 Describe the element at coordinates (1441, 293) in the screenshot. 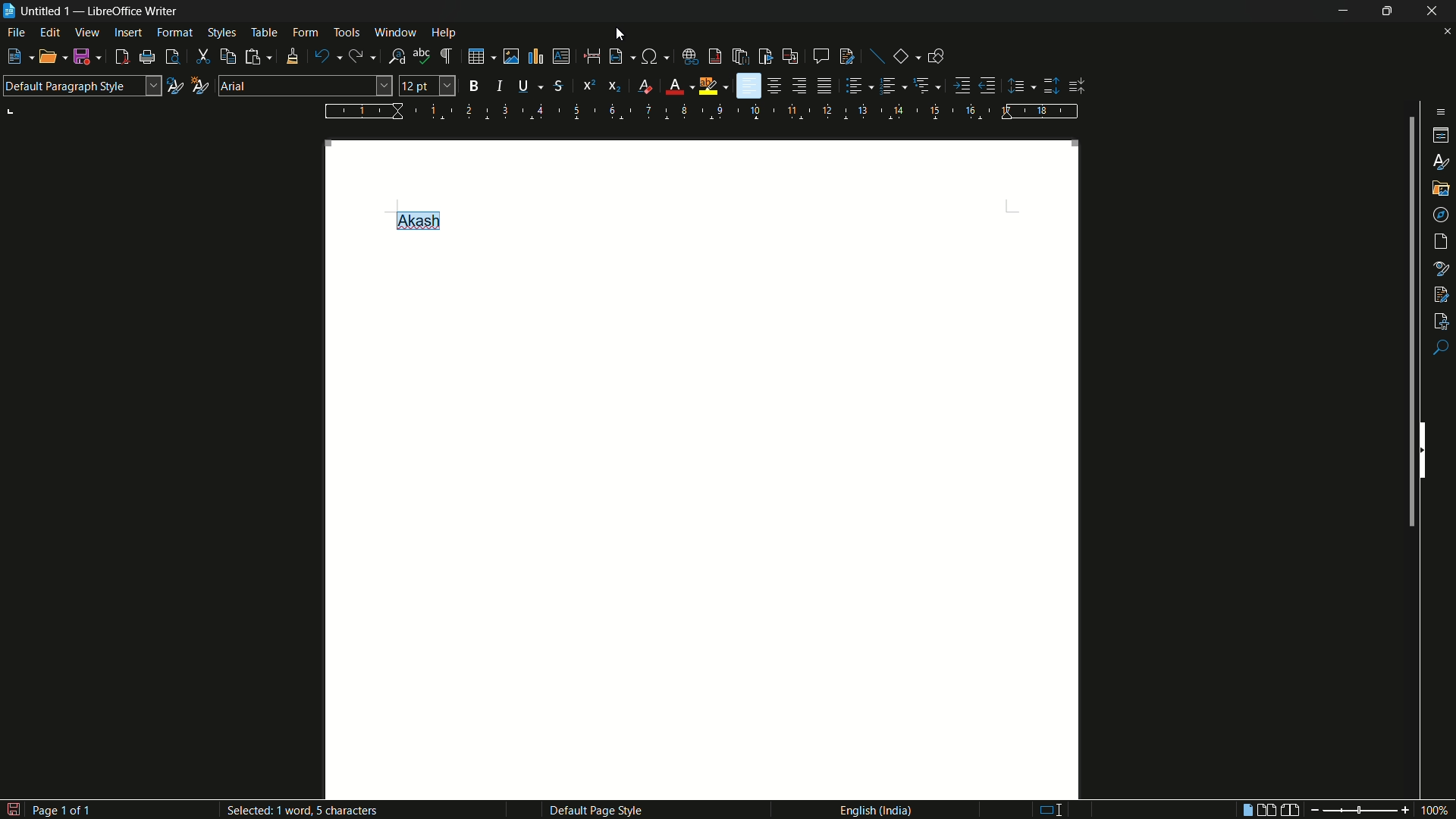

I see `manage changes` at that location.